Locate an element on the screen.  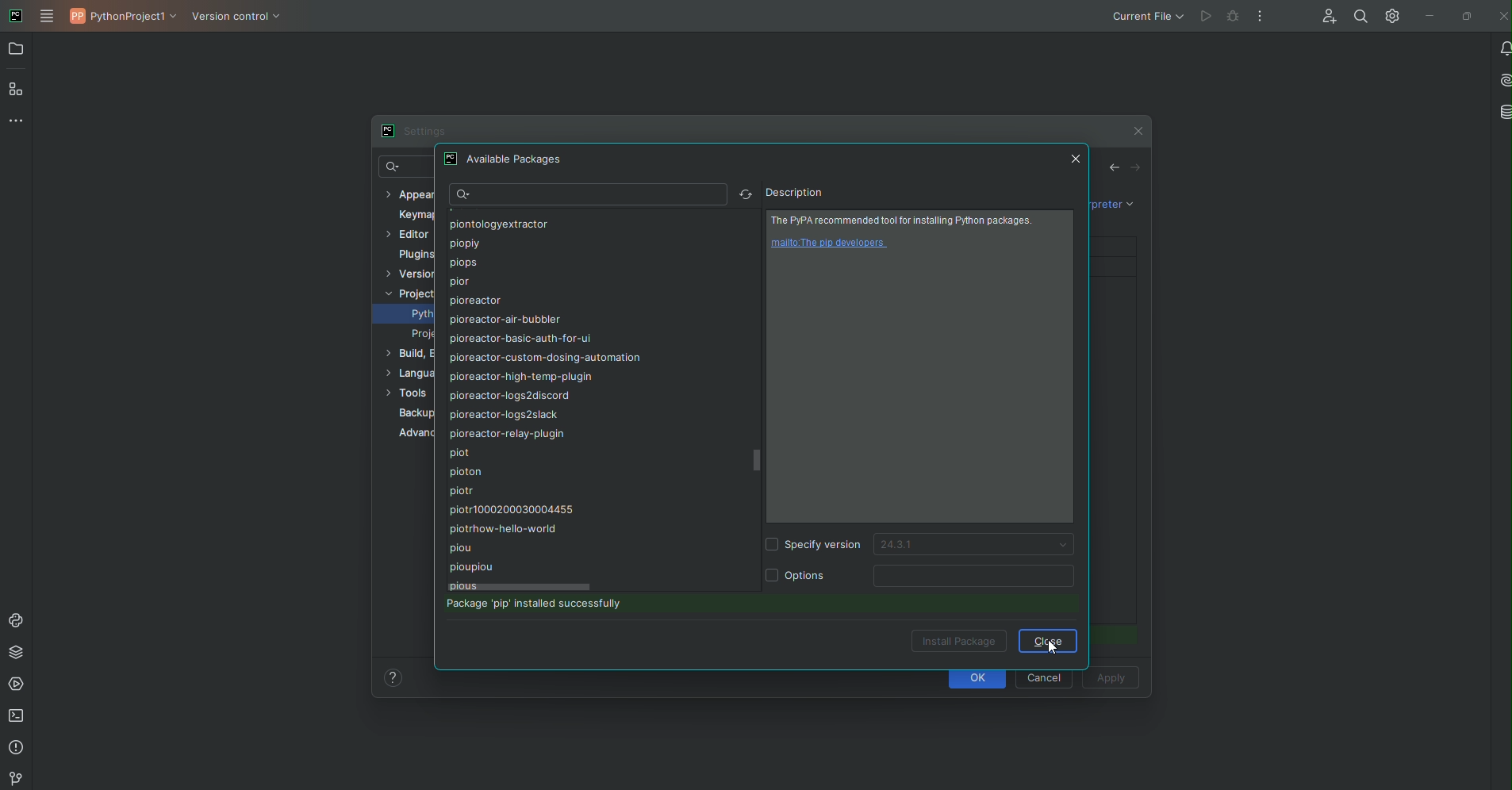
Apply is located at coordinates (1111, 679).